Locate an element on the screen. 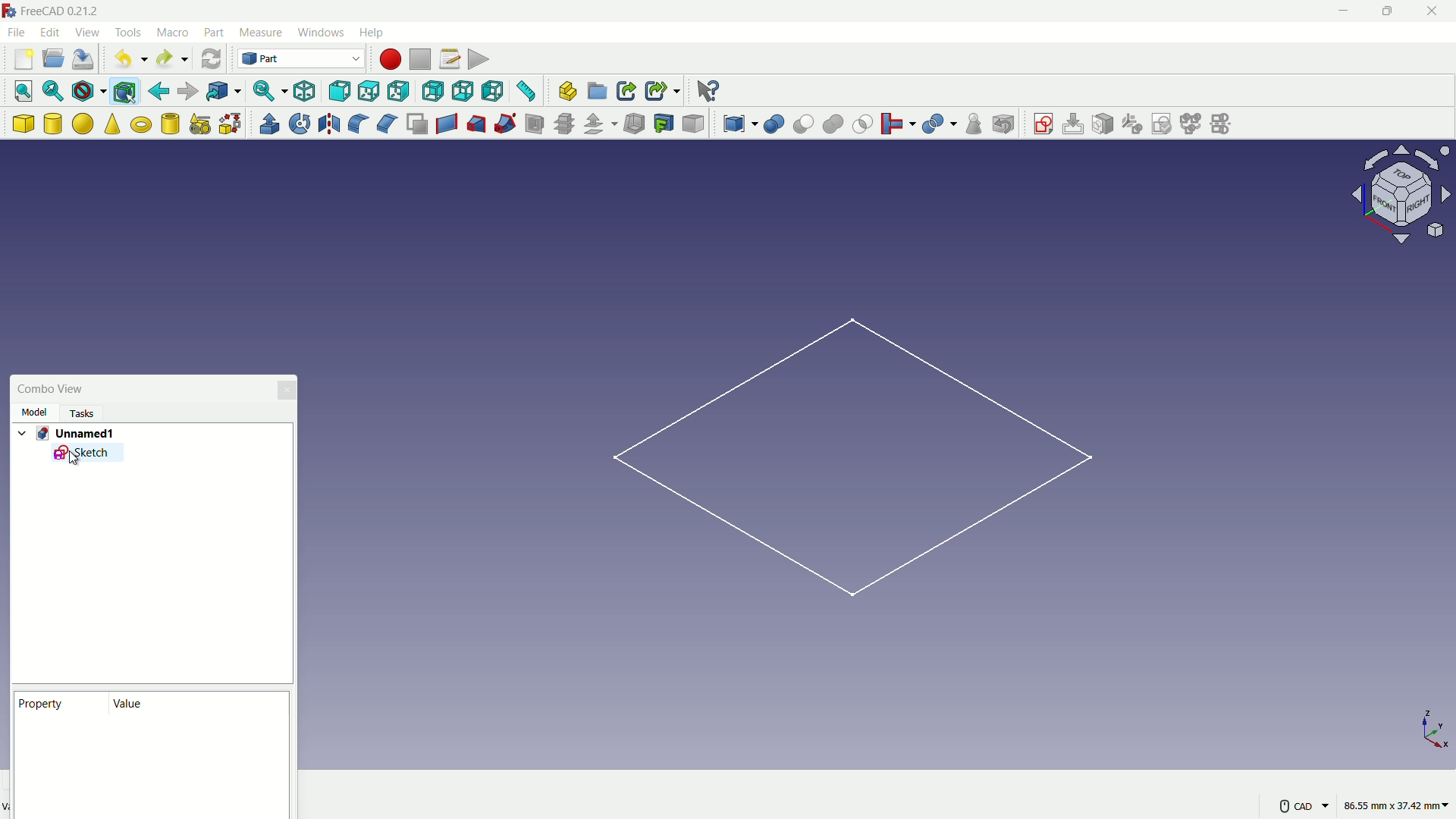  extrude is located at coordinates (270, 123).